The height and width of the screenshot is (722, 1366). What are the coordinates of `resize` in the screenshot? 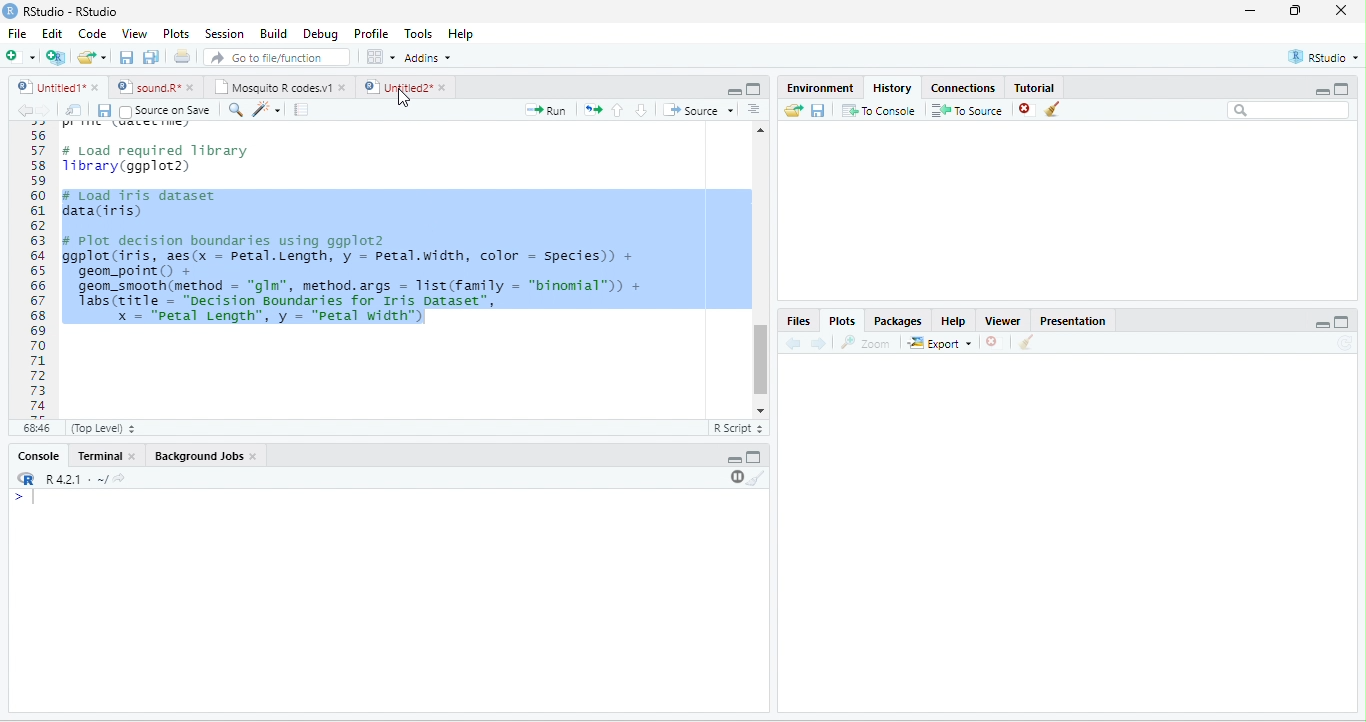 It's located at (1296, 10).